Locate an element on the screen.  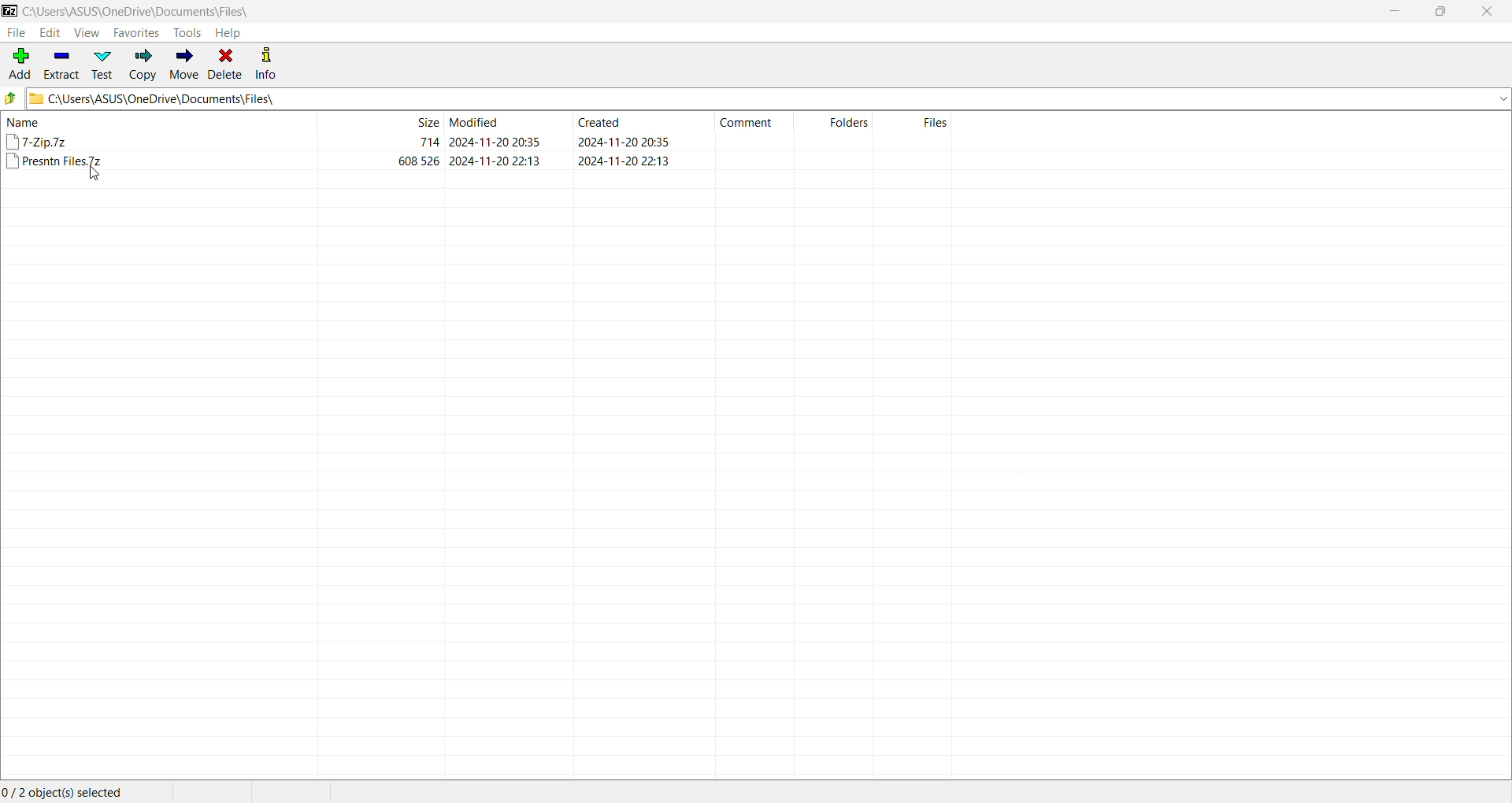
View is located at coordinates (87, 32).